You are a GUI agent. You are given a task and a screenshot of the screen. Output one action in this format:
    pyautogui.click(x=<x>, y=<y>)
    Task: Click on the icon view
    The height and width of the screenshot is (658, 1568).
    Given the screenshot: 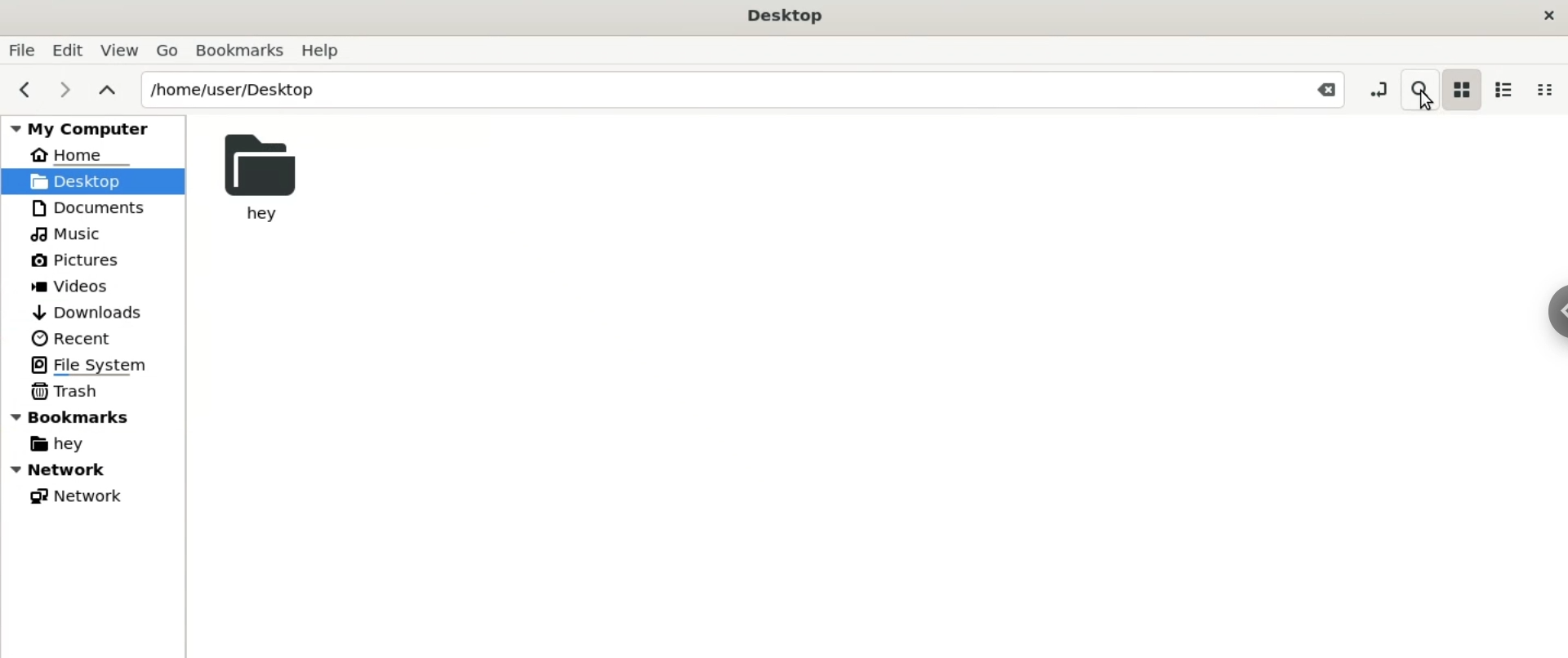 What is the action you would take?
    pyautogui.click(x=1458, y=90)
    